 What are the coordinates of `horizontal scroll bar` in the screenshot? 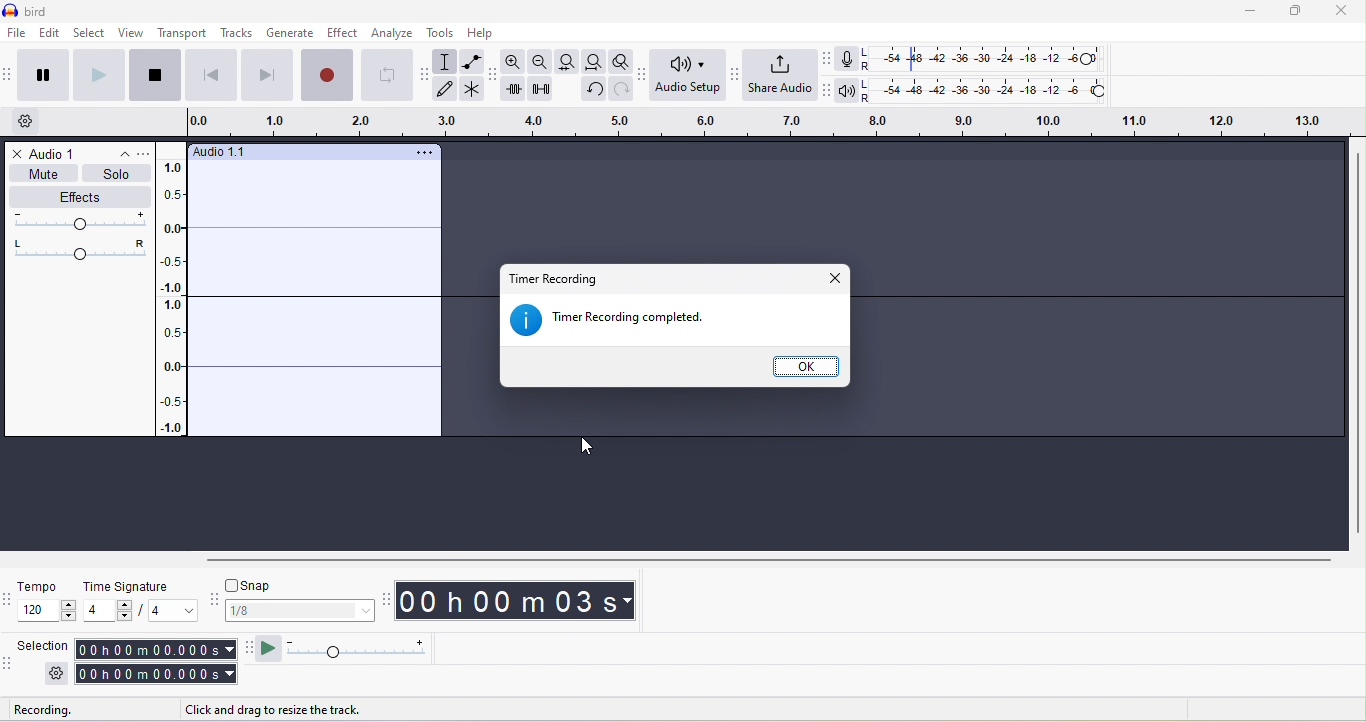 It's located at (765, 562).